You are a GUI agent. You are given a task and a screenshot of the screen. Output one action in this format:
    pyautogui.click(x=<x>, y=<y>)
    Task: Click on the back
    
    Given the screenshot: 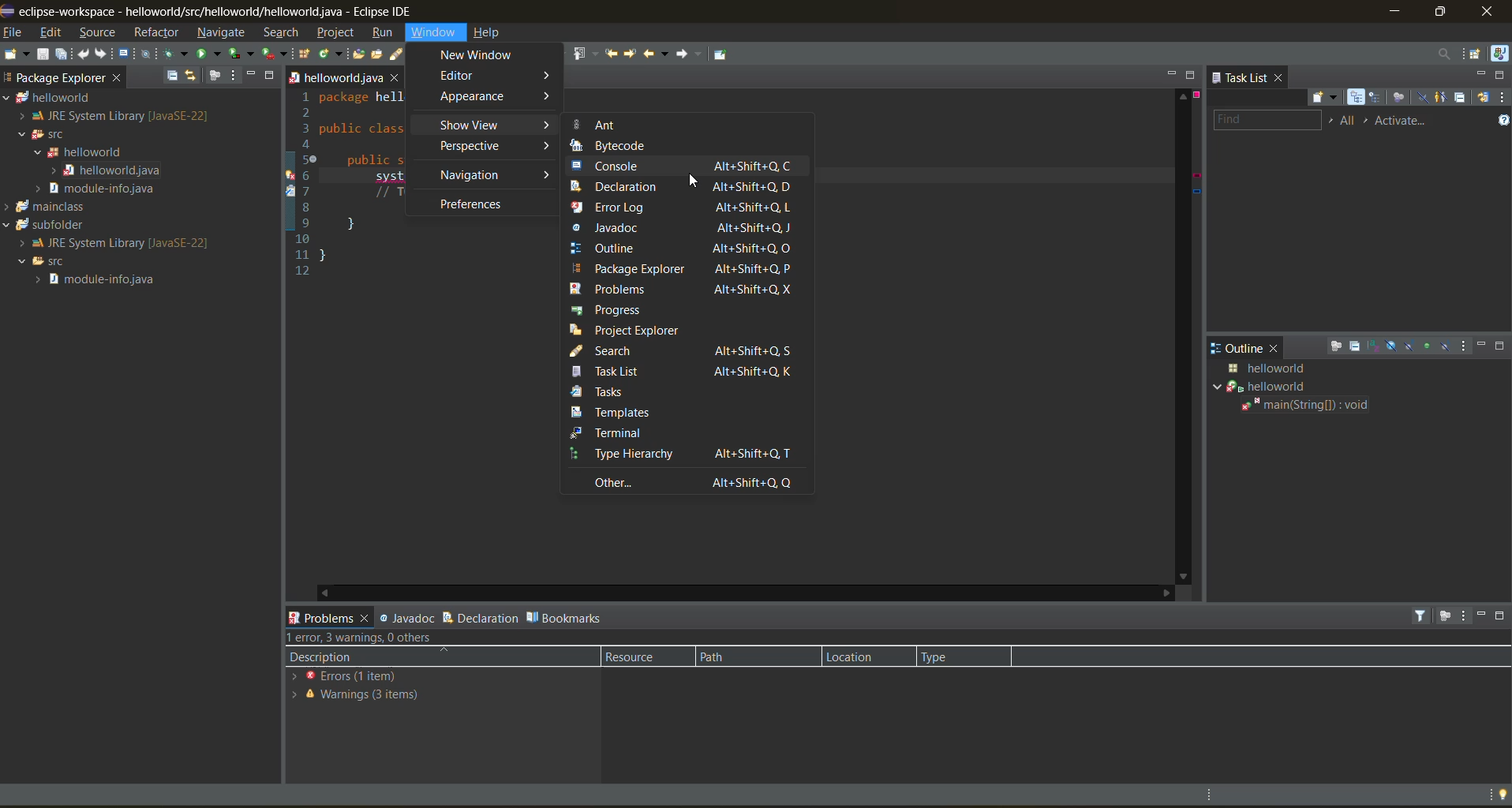 What is the action you would take?
    pyautogui.click(x=657, y=54)
    